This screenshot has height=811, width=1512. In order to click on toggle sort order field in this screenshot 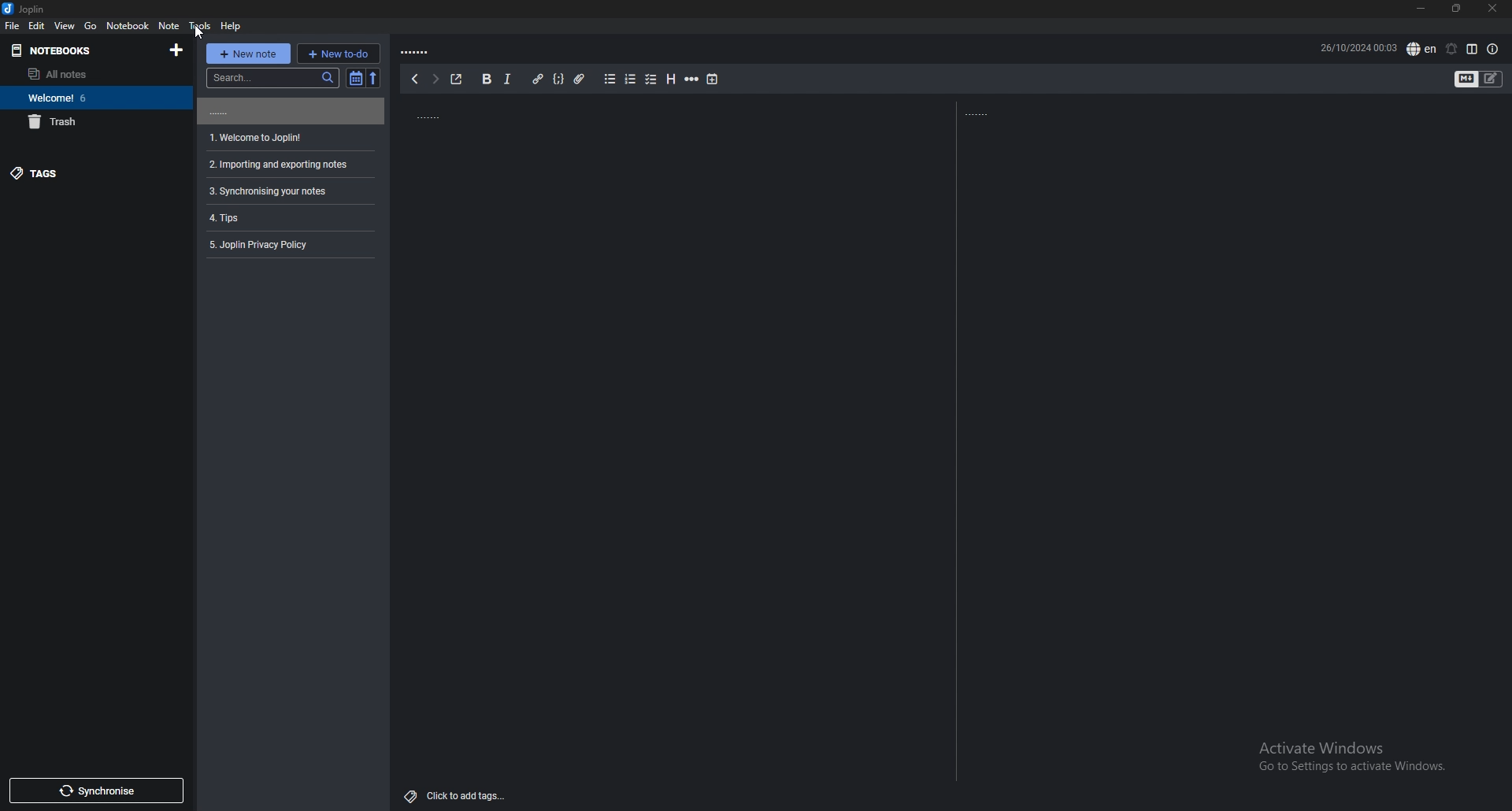, I will do `click(356, 77)`.